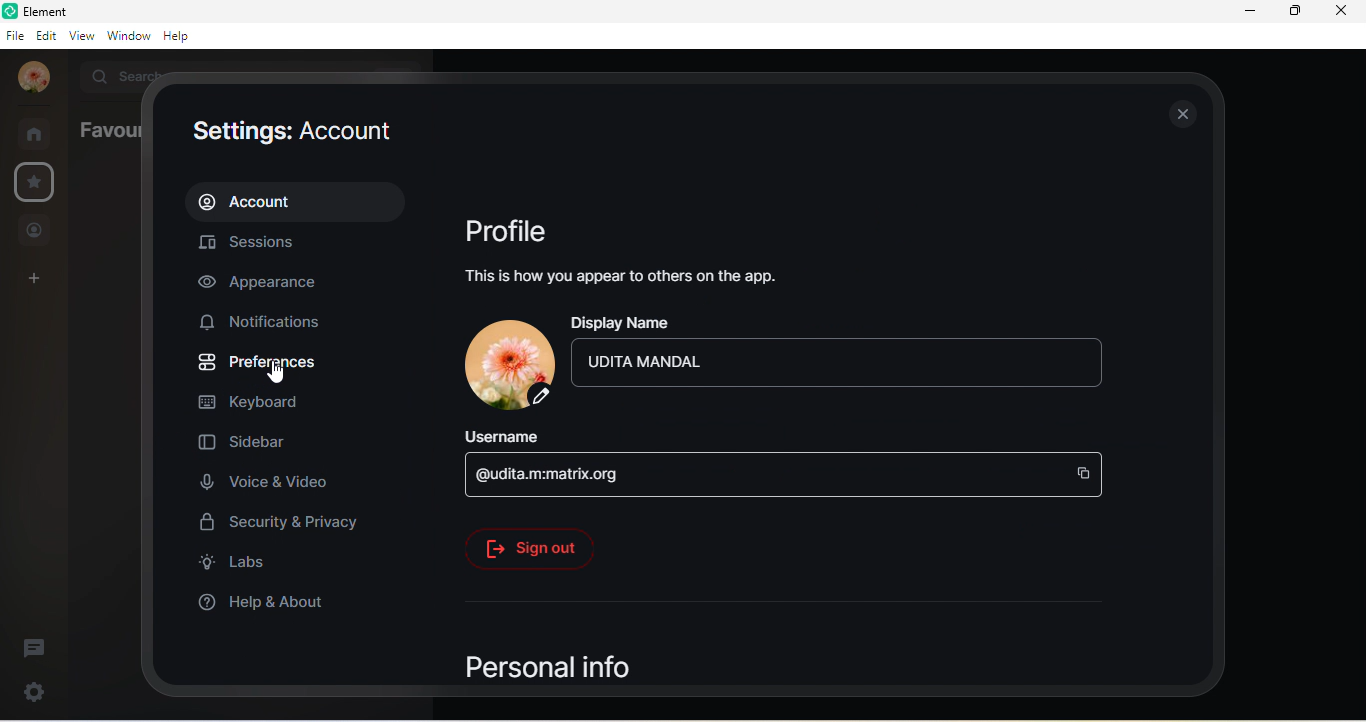 The image size is (1366, 722). I want to click on Element, so click(43, 11).